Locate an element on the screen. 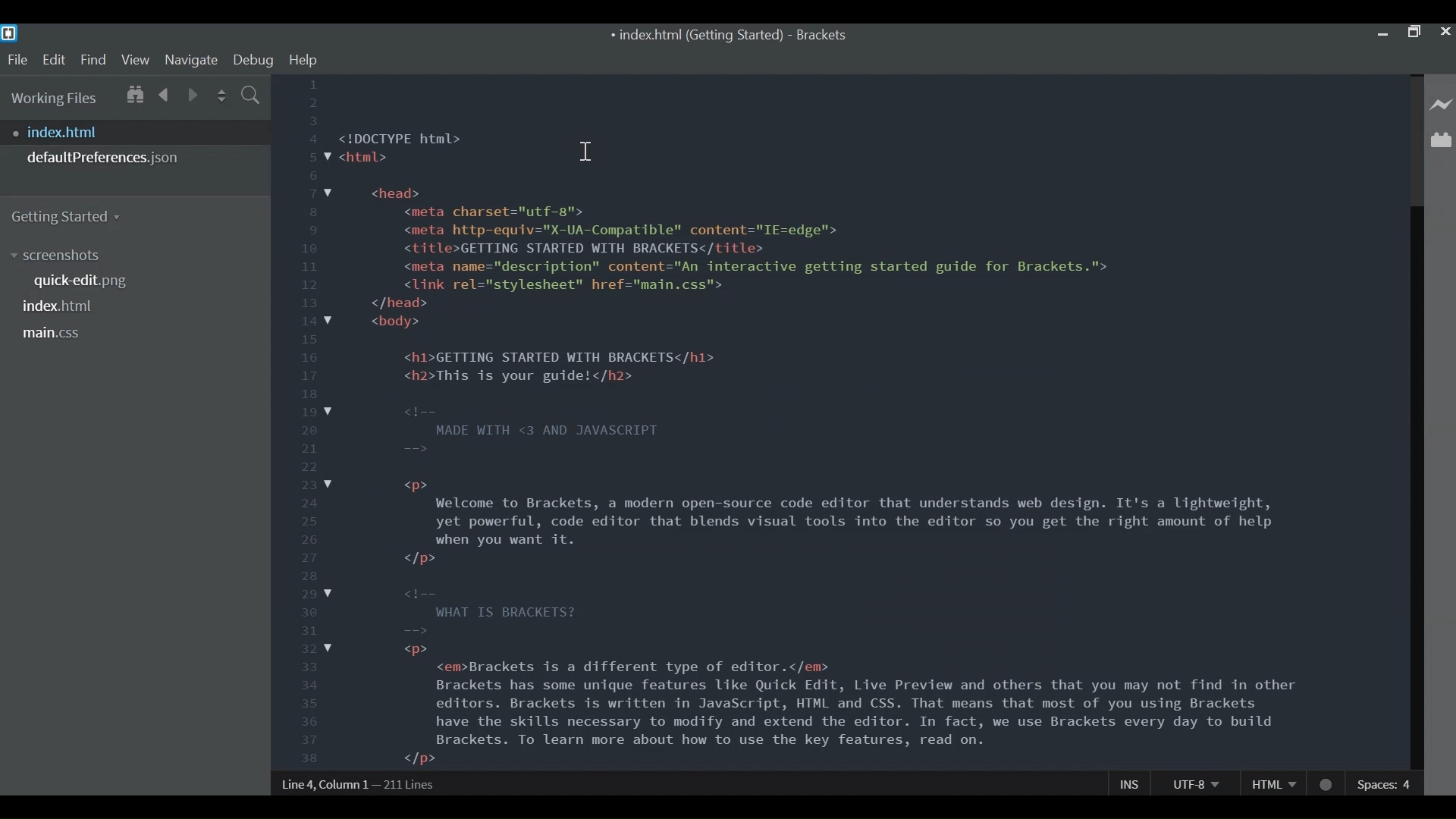 This screenshot has height=819, width=1456. No lintel available for HTML is located at coordinates (1327, 785).